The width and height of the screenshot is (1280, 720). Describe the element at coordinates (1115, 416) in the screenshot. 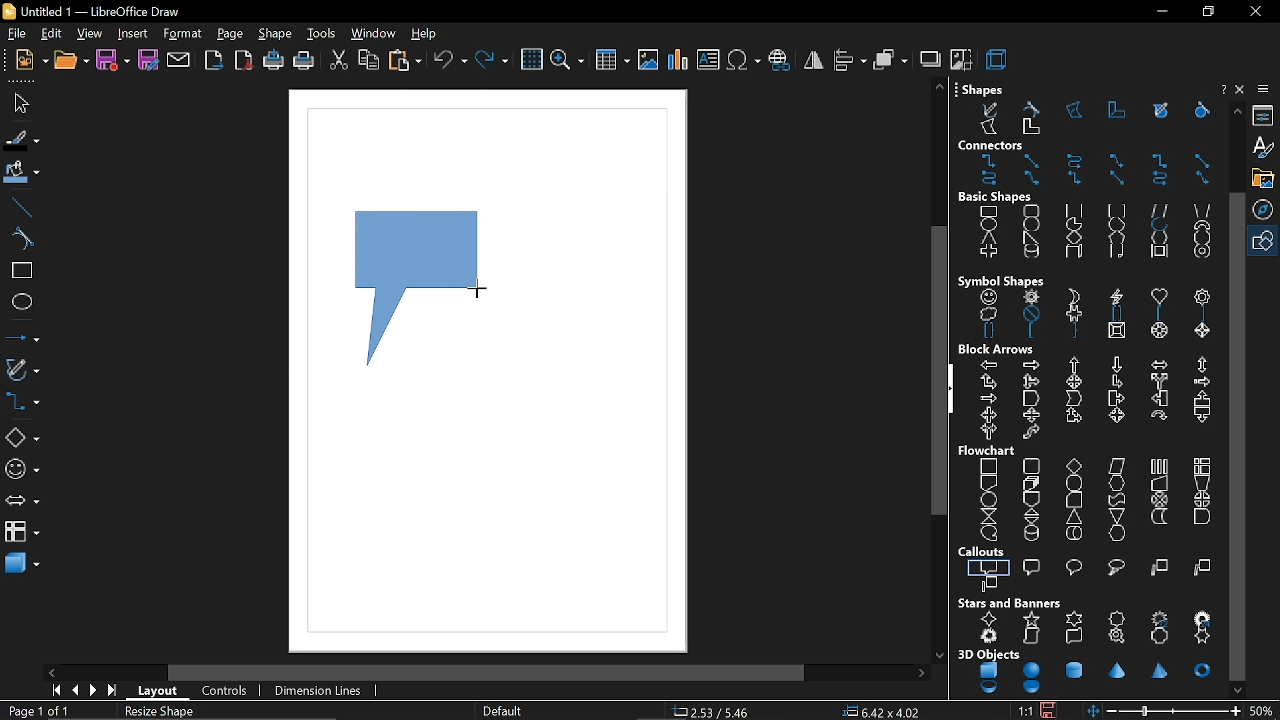

I see `4 way arrow callout` at that location.